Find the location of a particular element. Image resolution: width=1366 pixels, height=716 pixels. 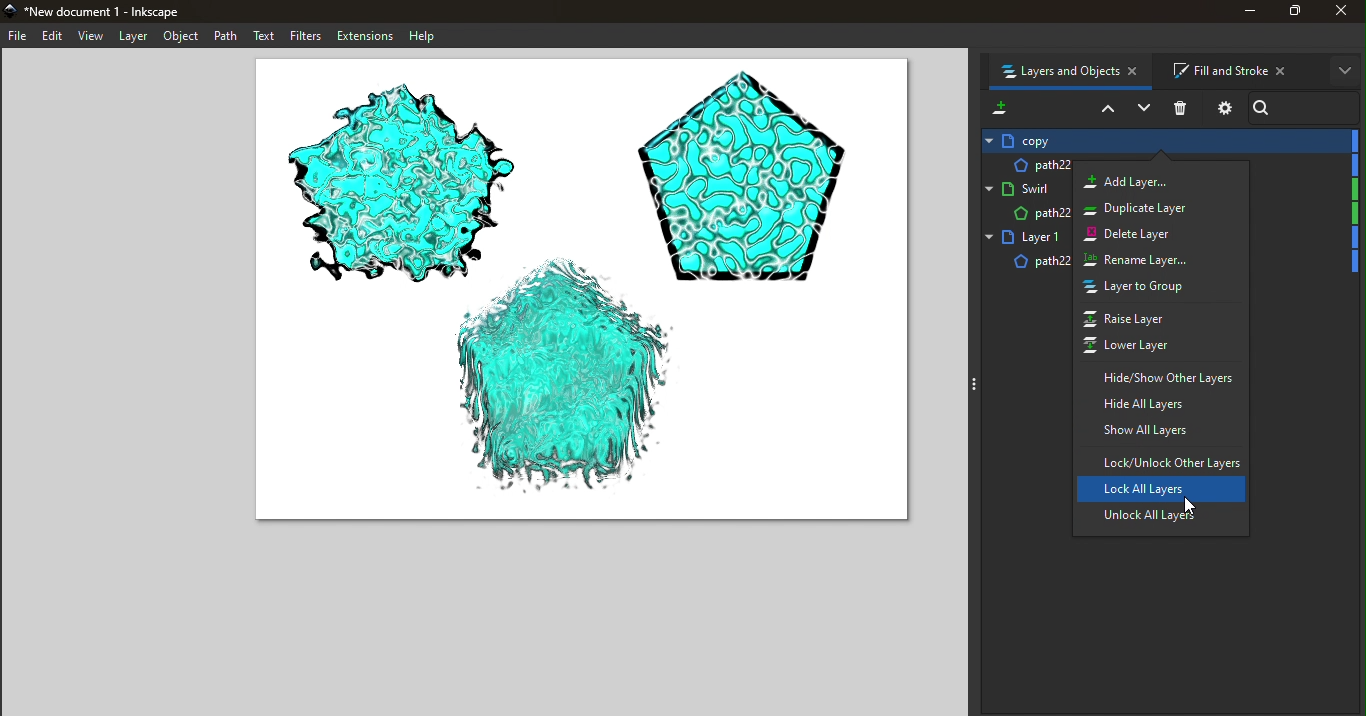

Lock/Unlock other layers is located at coordinates (1160, 461).